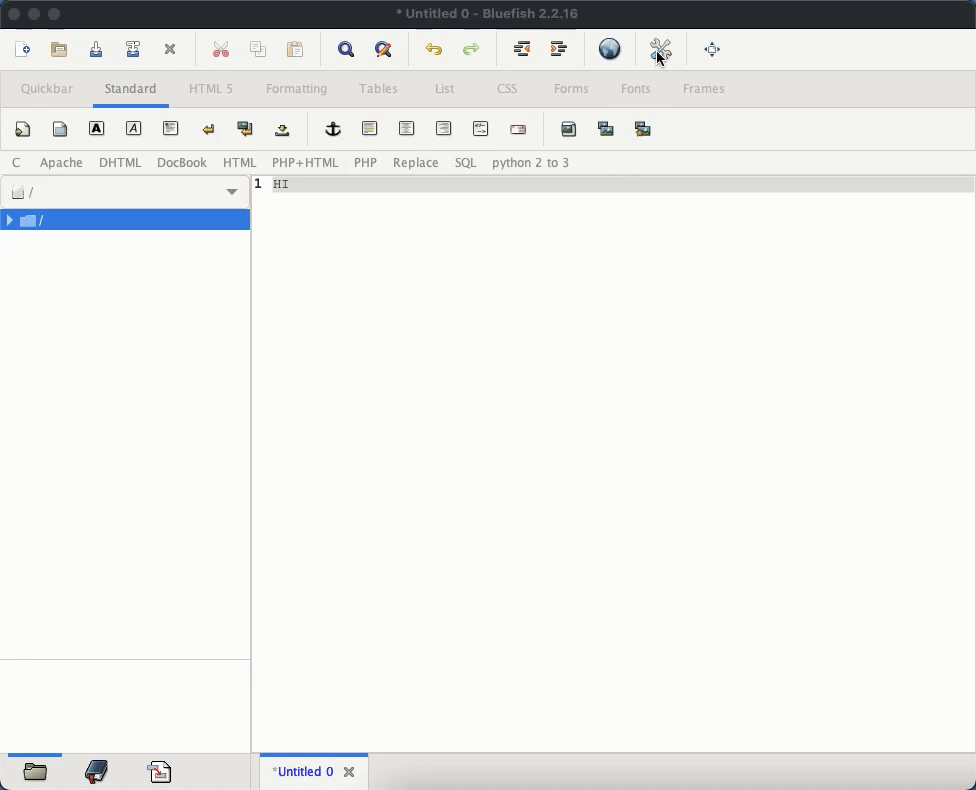 The image size is (976, 790). I want to click on css, so click(508, 88).